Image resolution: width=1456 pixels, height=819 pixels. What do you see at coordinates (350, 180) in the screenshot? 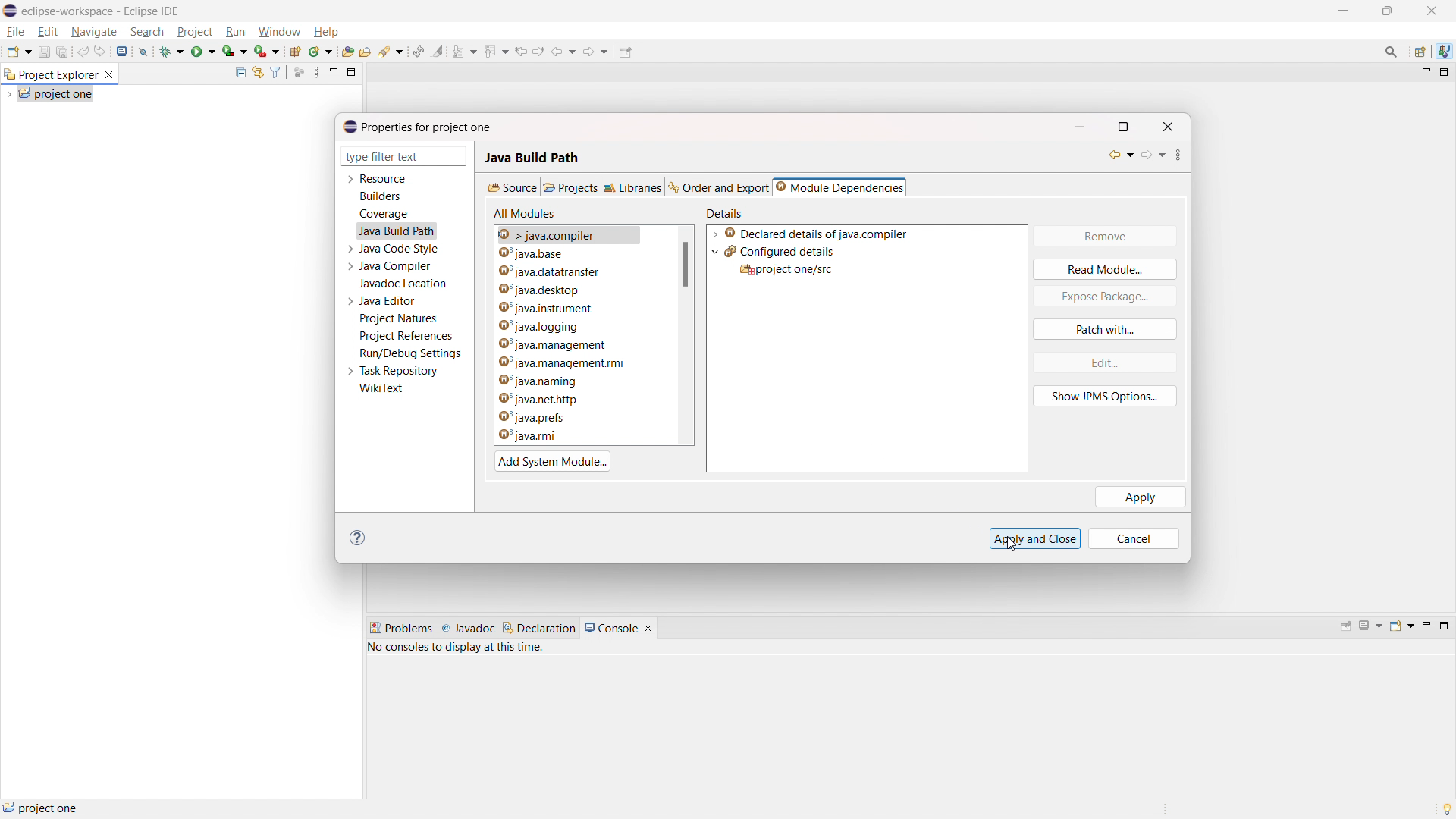
I see `expand resource` at bounding box center [350, 180].